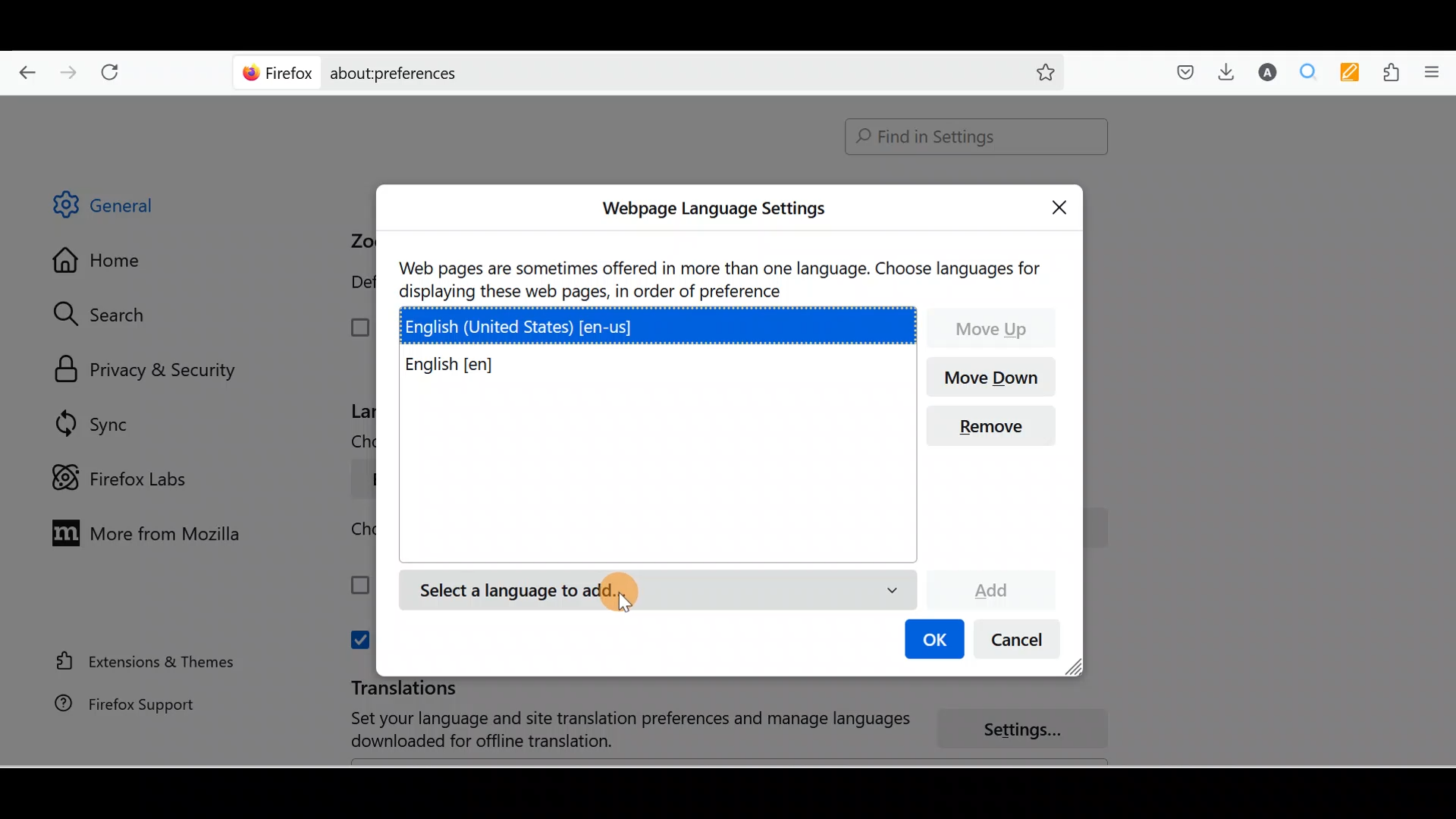 The image size is (1456, 819). I want to click on Move down, so click(994, 378).